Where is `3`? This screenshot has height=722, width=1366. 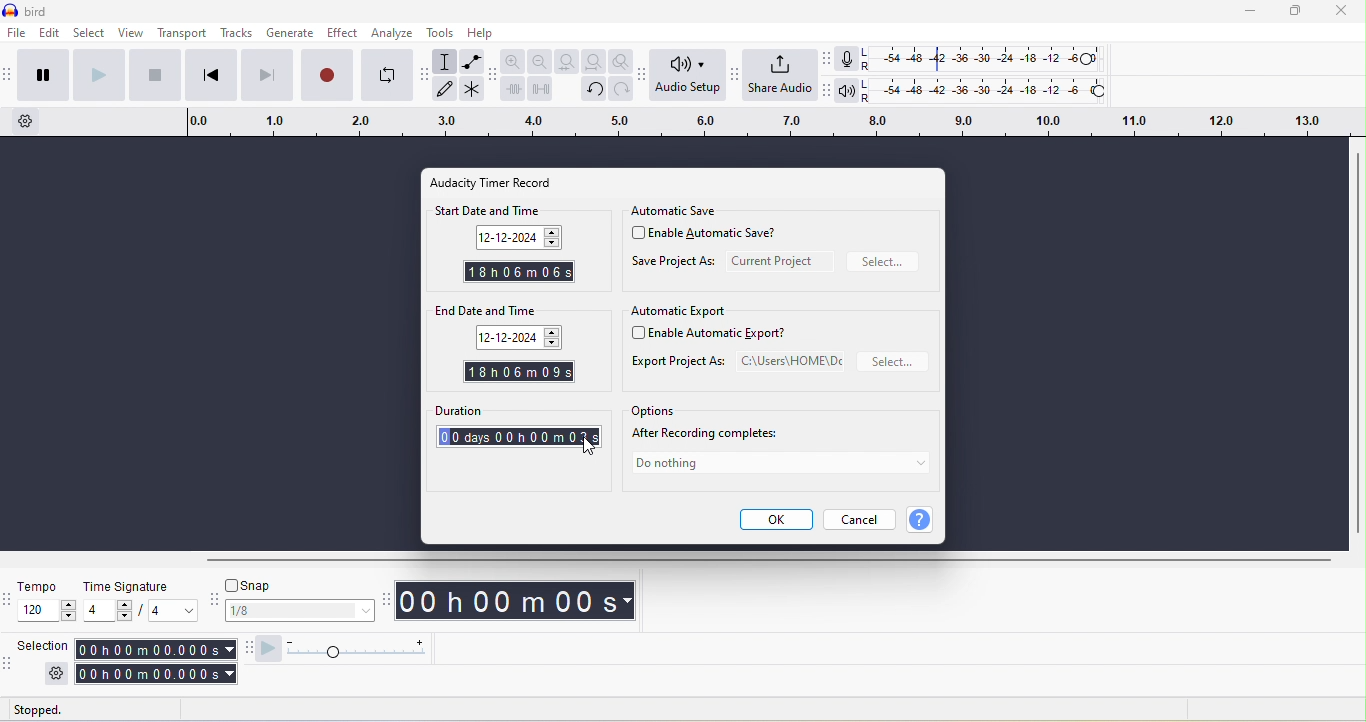 3 is located at coordinates (586, 439).